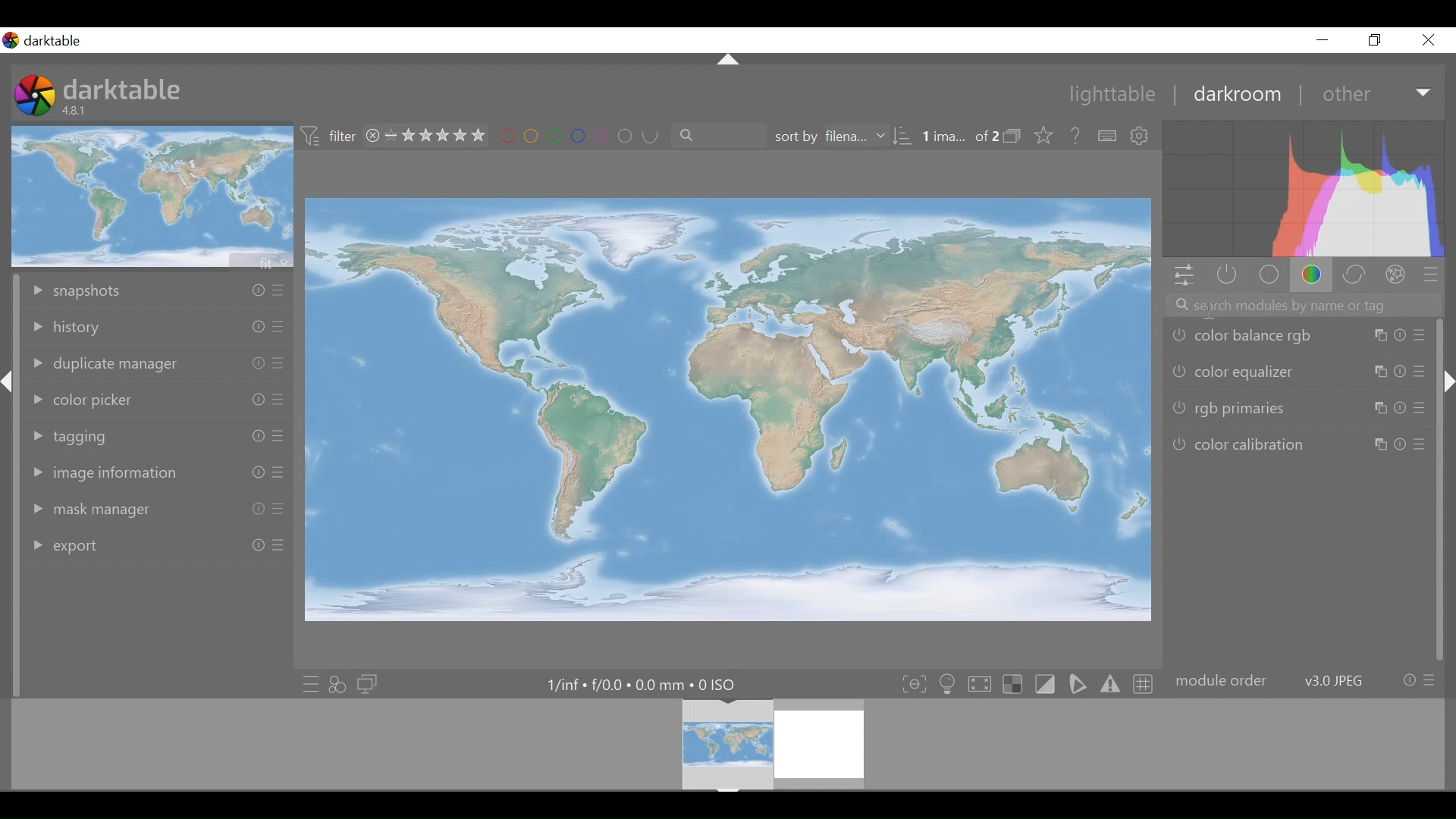 The image size is (1456, 819). Describe the element at coordinates (13, 556) in the screenshot. I see `vertical scroll bar` at that location.